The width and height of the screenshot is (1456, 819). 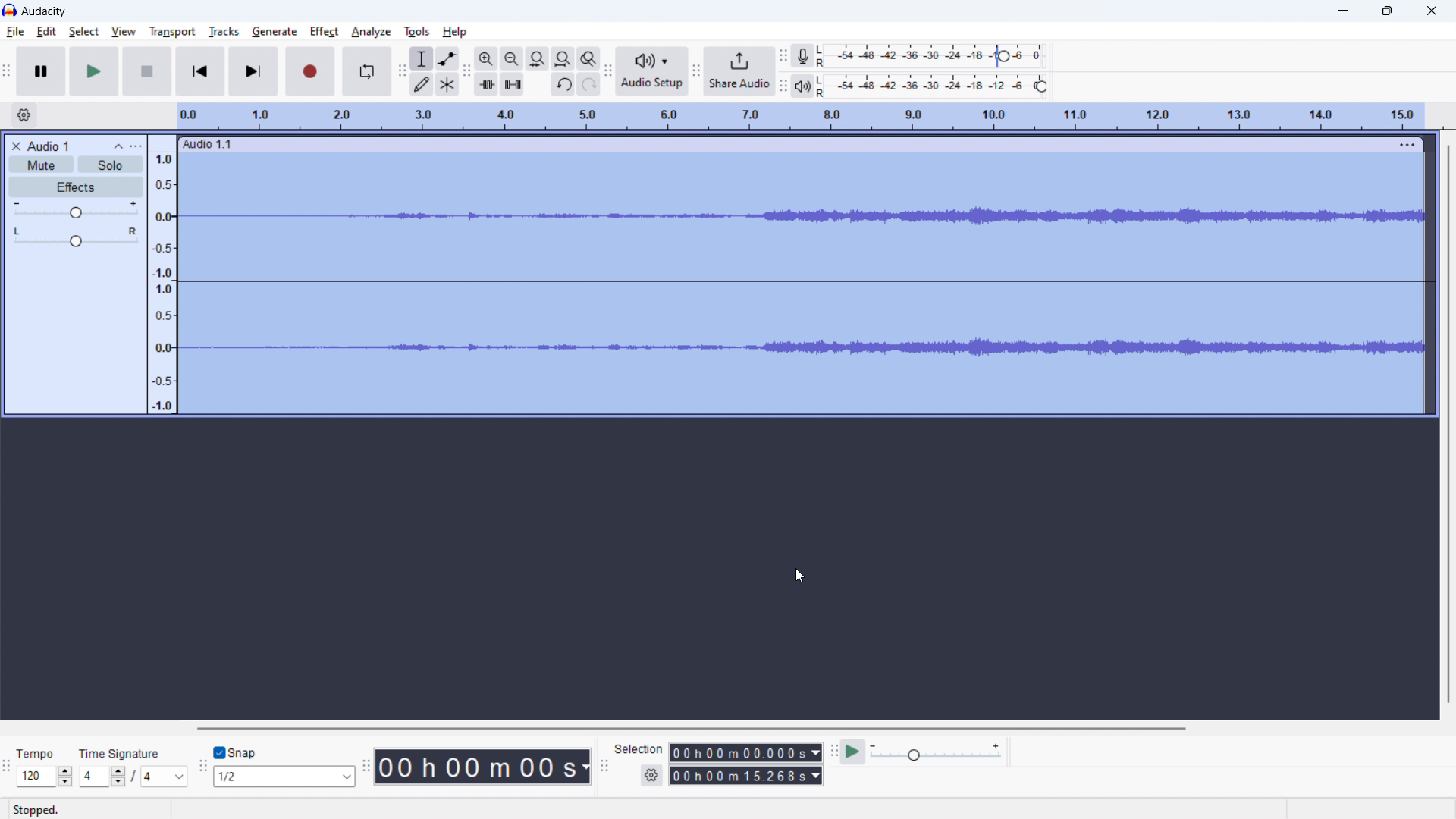 What do you see at coordinates (802, 57) in the screenshot?
I see `recording meter` at bounding box center [802, 57].